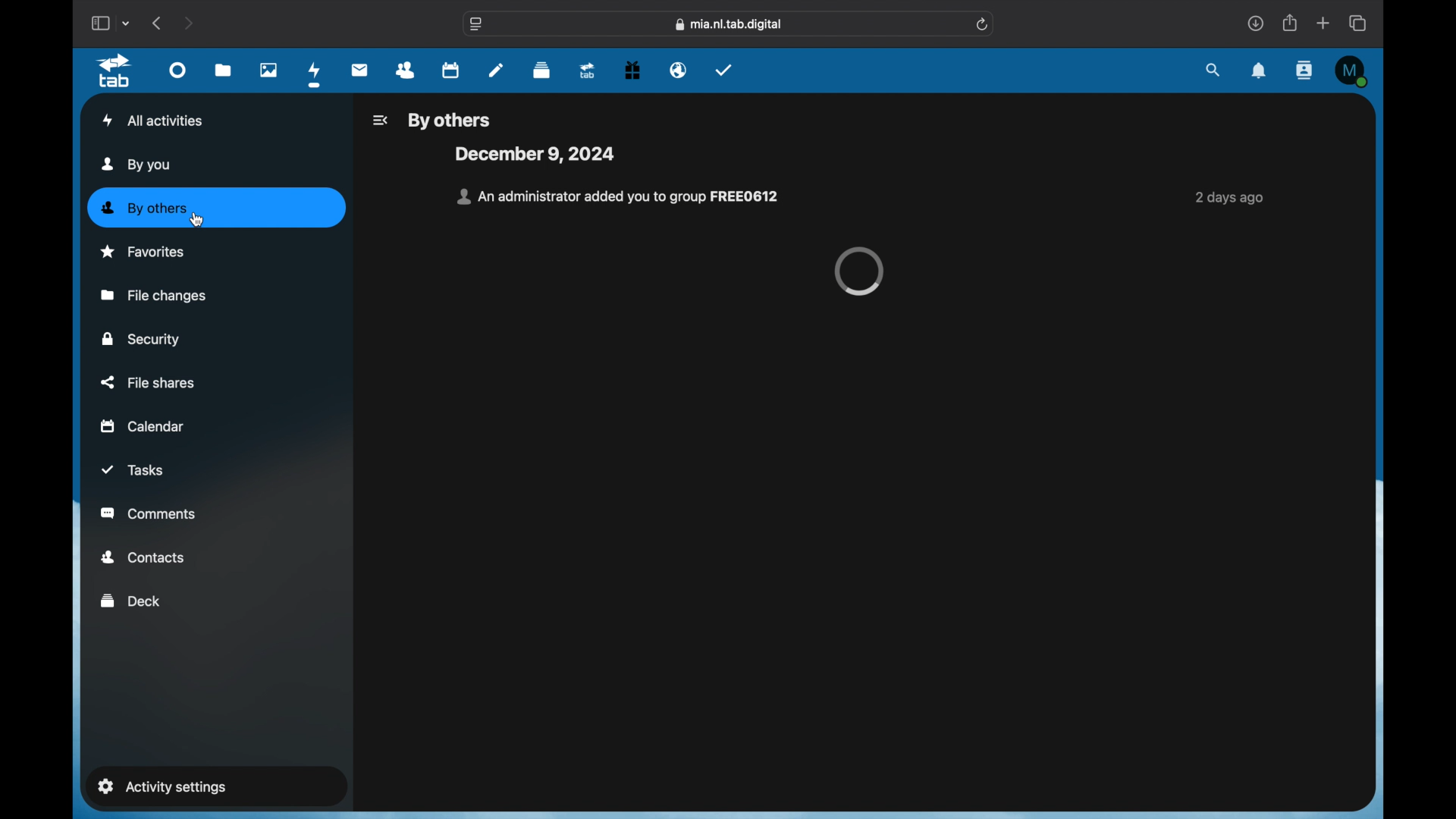 The height and width of the screenshot is (819, 1456). I want to click on tab, so click(115, 71).